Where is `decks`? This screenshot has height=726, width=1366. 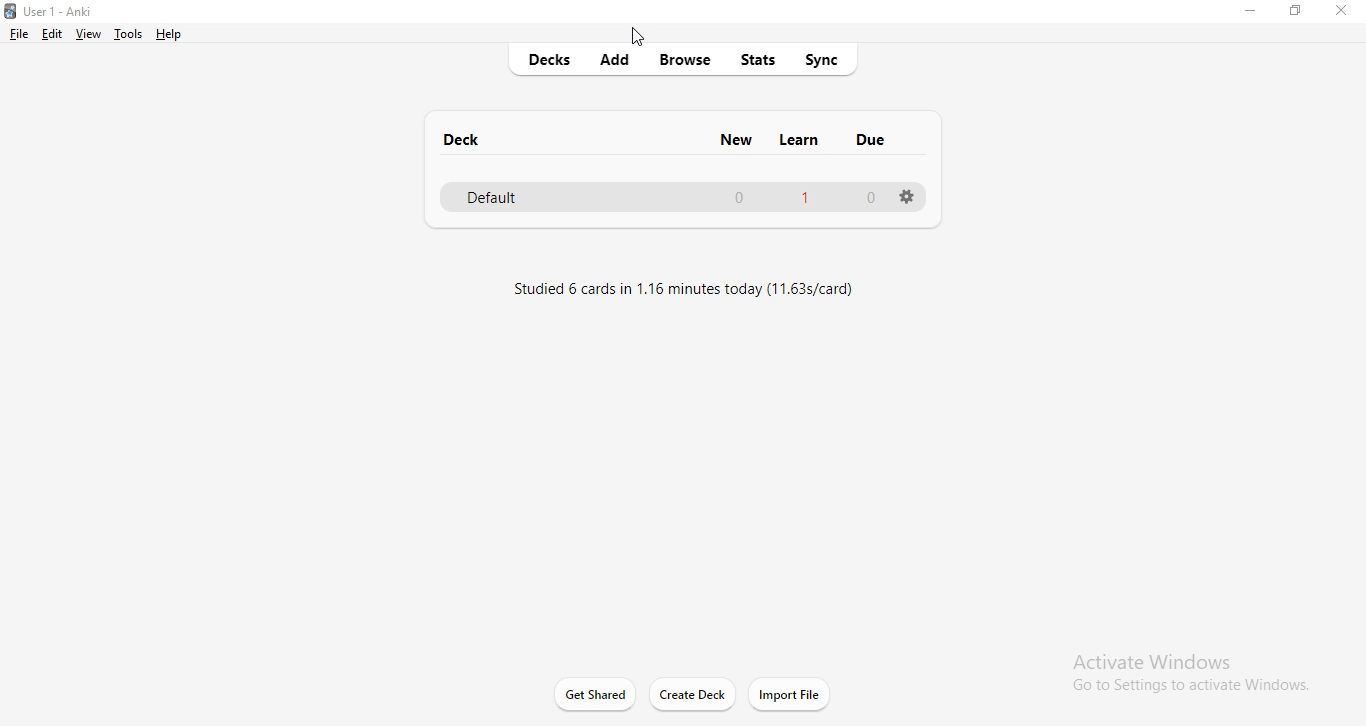 decks is located at coordinates (555, 61).